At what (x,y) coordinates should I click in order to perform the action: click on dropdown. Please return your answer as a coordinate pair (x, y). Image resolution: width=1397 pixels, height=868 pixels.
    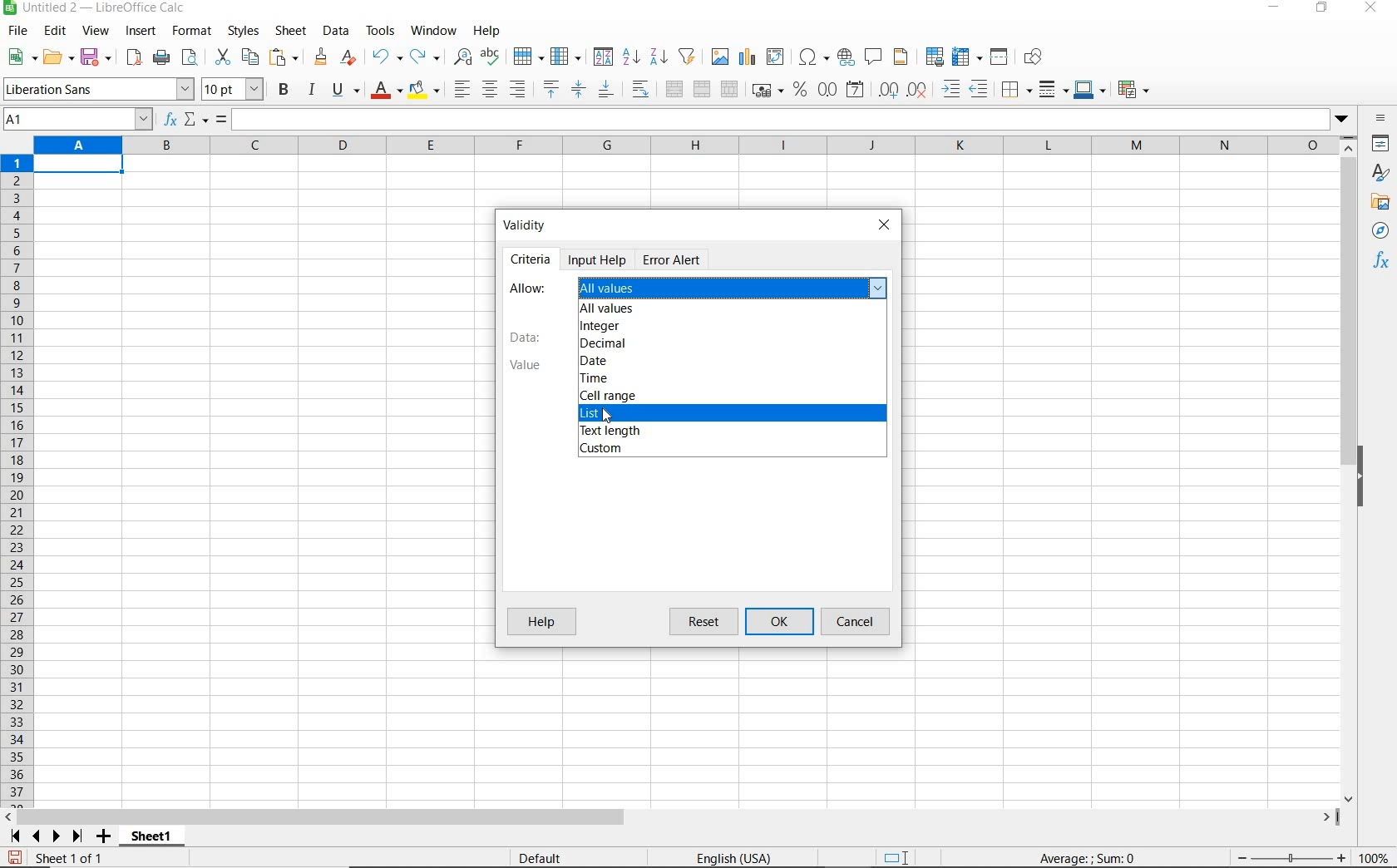
    Looking at the image, I should click on (1343, 121).